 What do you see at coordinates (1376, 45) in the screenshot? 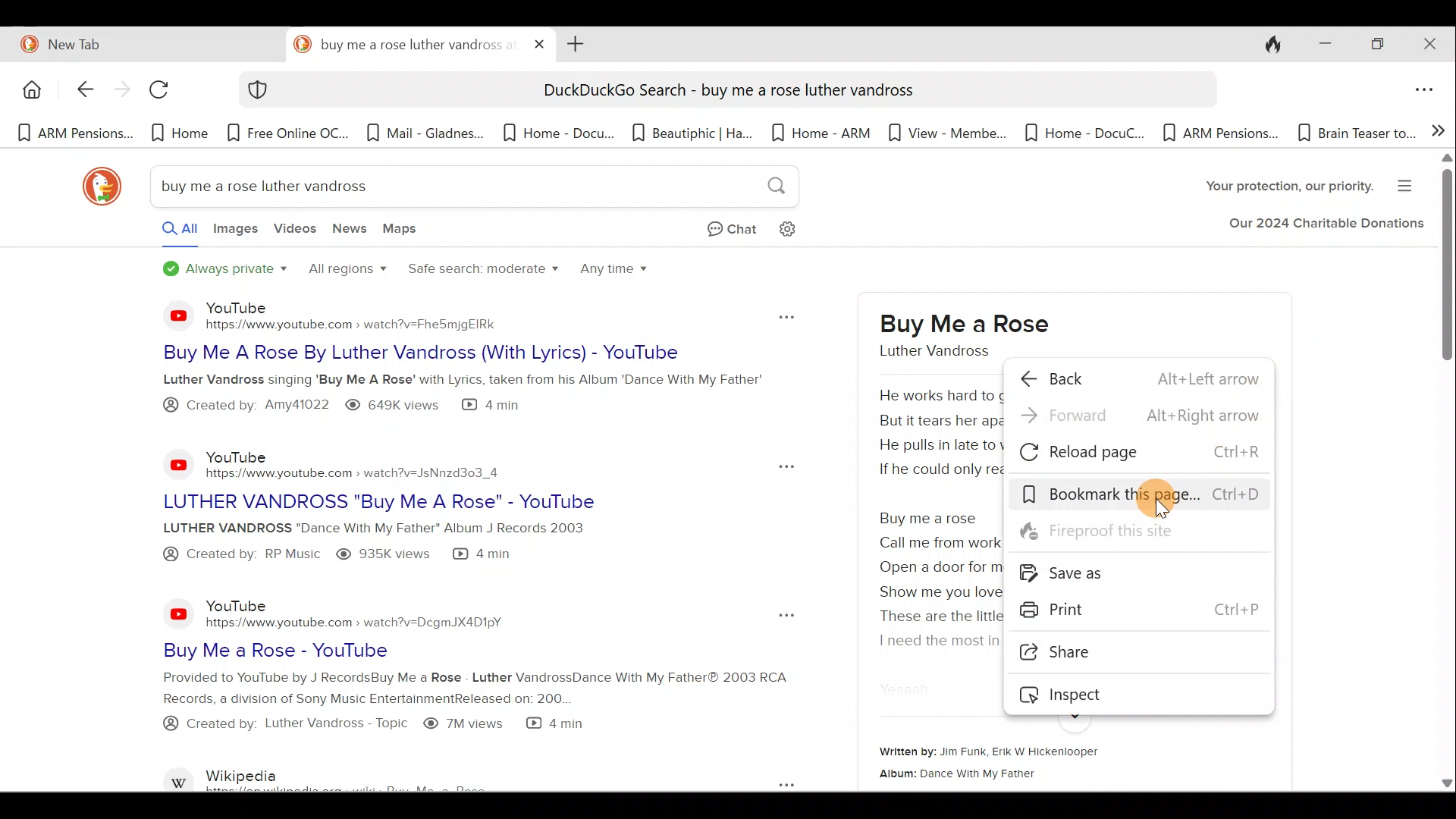
I see `Restore down` at bounding box center [1376, 45].